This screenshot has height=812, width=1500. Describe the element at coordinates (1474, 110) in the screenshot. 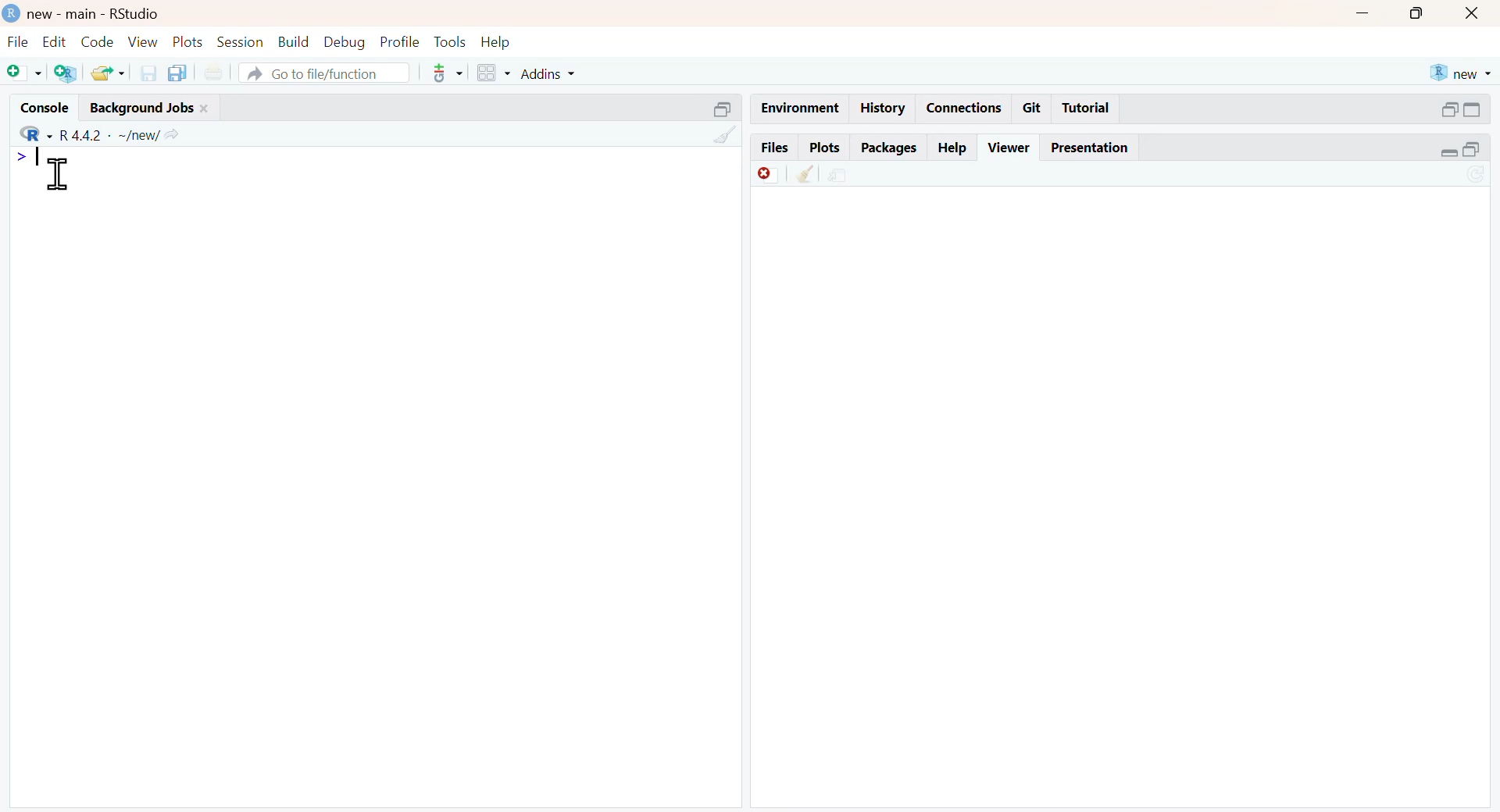

I see `expand/collapse` at that location.